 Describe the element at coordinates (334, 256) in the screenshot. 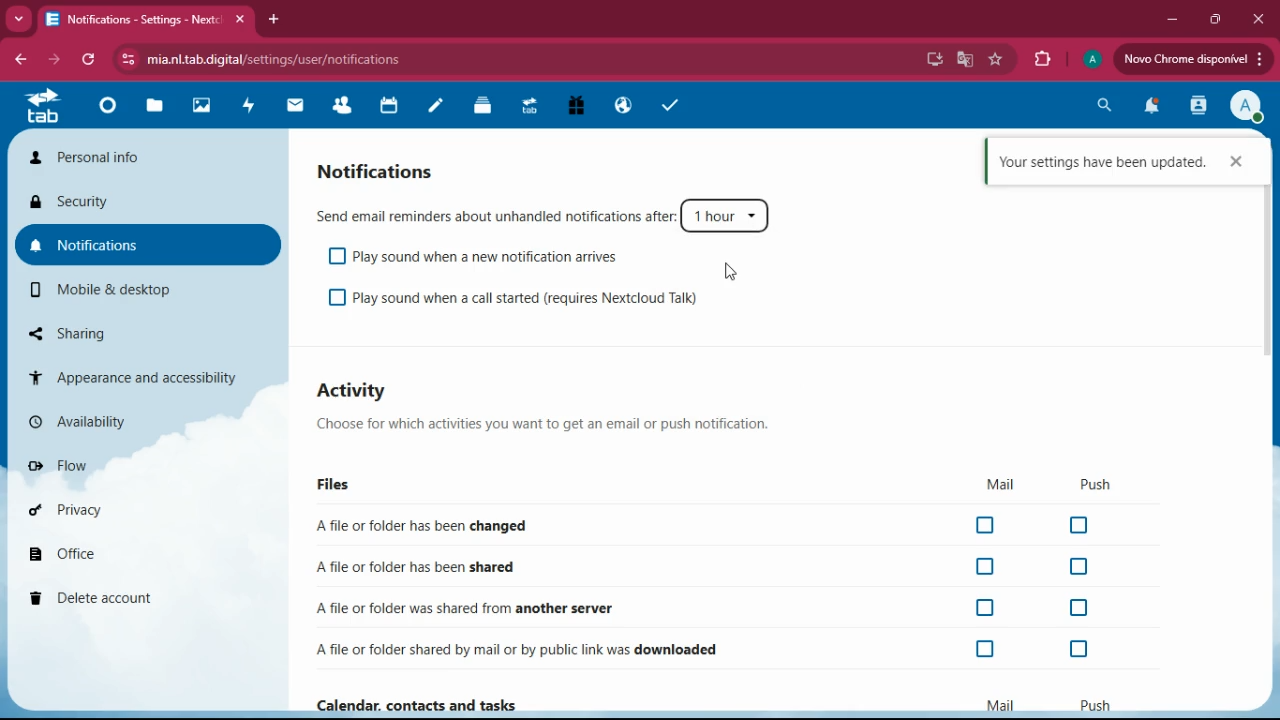

I see `off` at that location.